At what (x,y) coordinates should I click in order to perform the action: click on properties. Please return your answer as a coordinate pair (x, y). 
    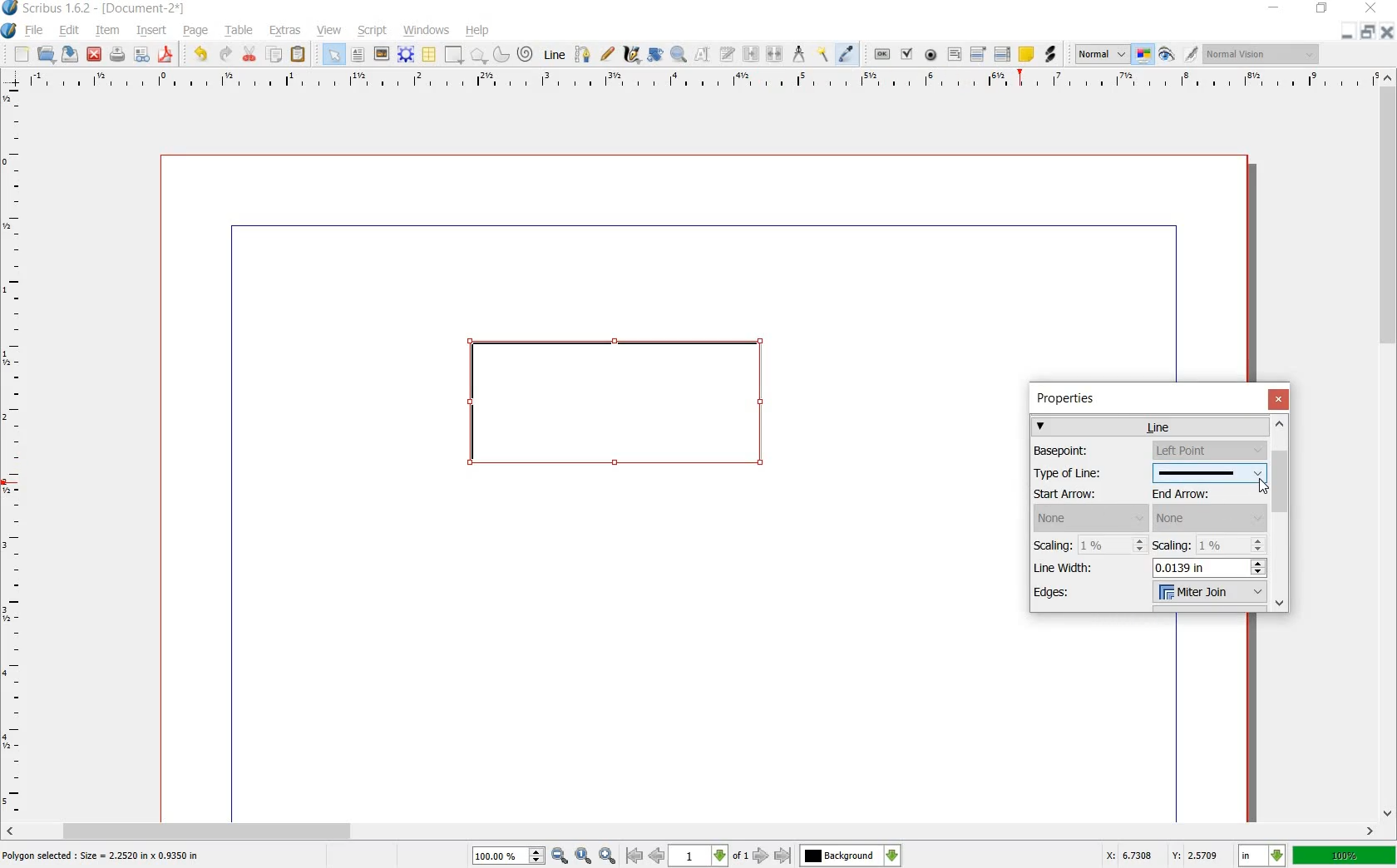
    Looking at the image, I should click on (1073, 398).